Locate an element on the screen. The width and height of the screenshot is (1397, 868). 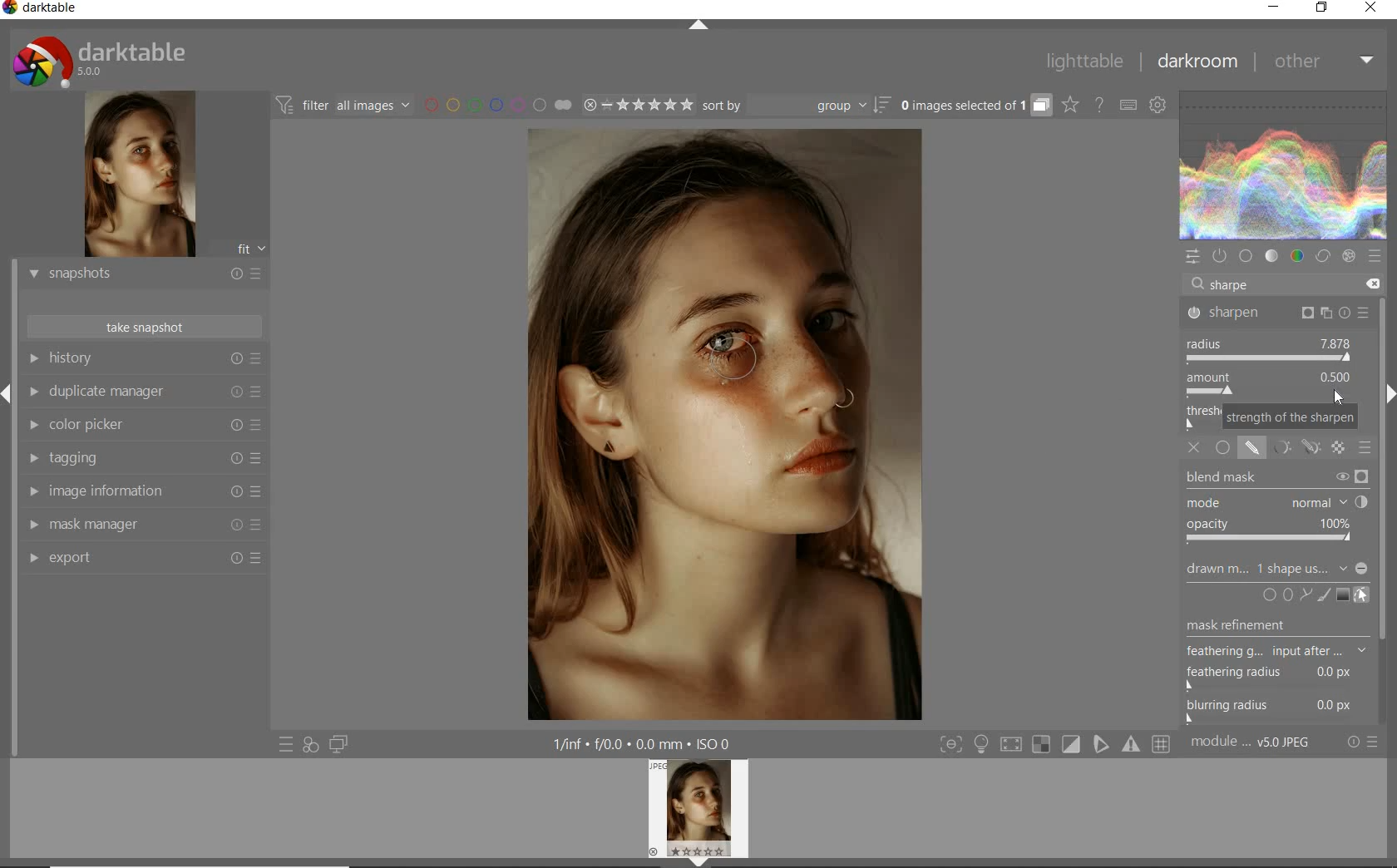
change overlays shown on thumbnails is located at coordinates (1069, 106).